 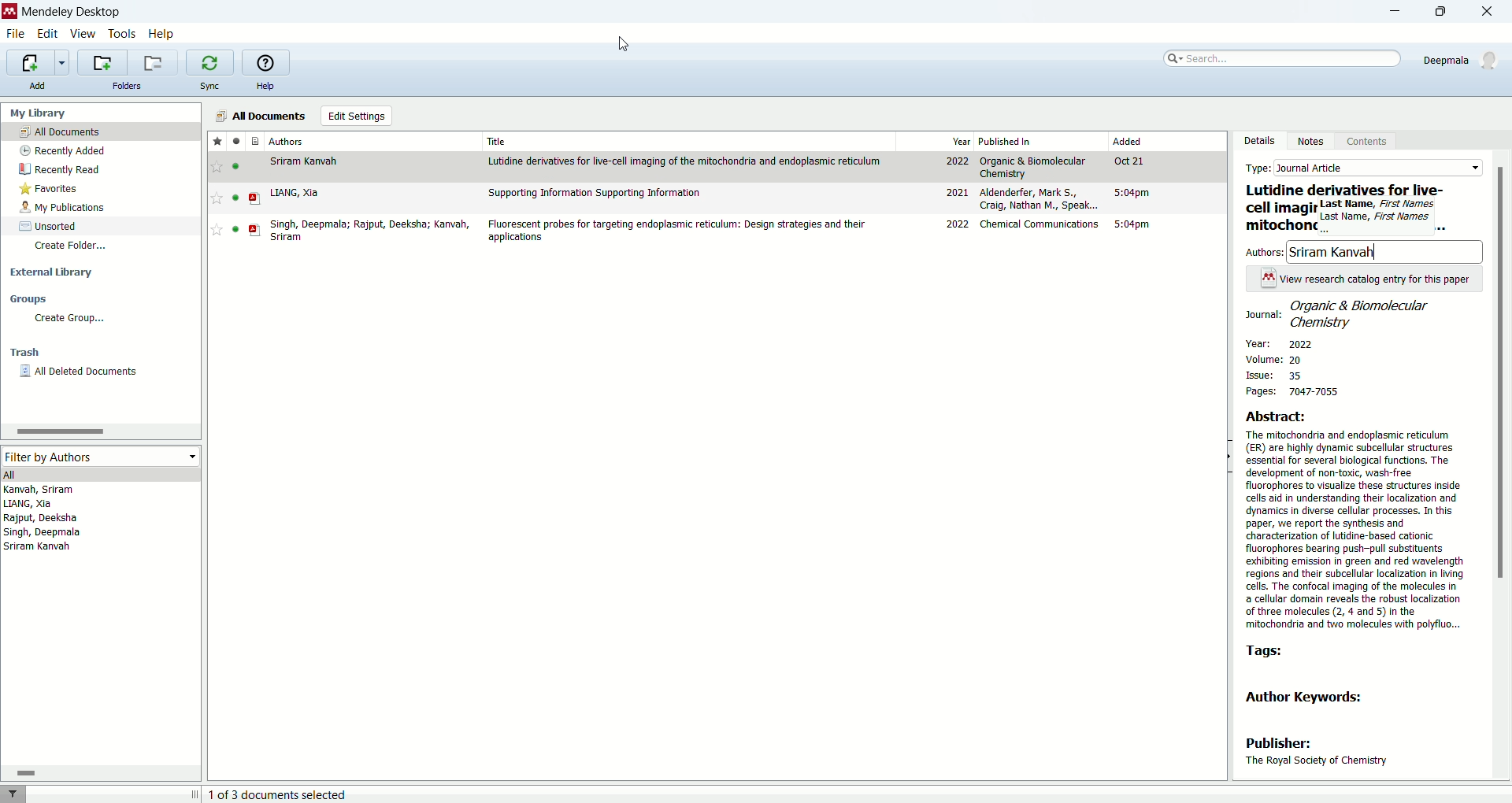 What do you see at coordinates (72, 247) in the screenshot?
I see `create folder` at bounding box center [72, 247].